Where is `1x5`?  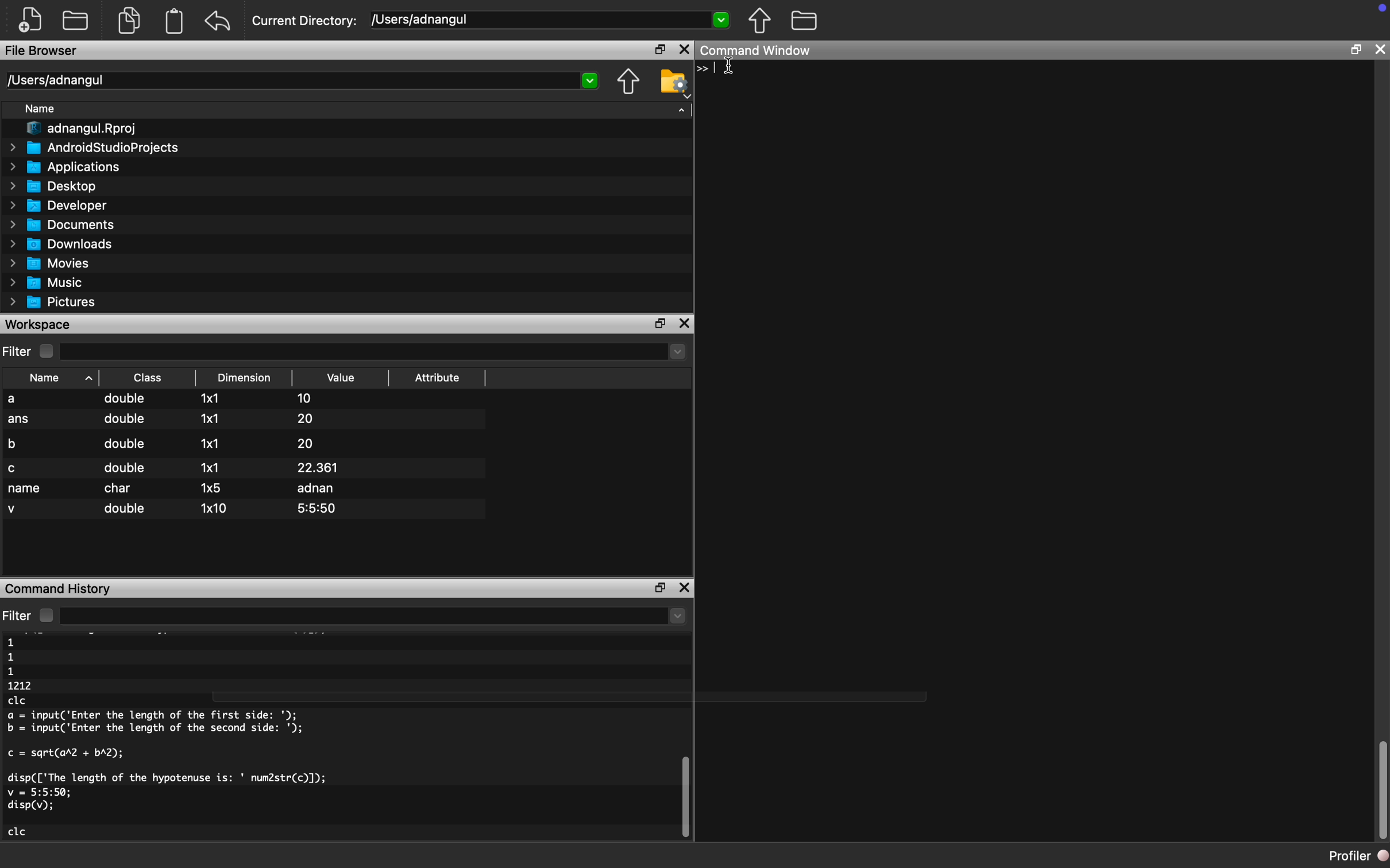 1x5 is located at coordinates (211, 488).